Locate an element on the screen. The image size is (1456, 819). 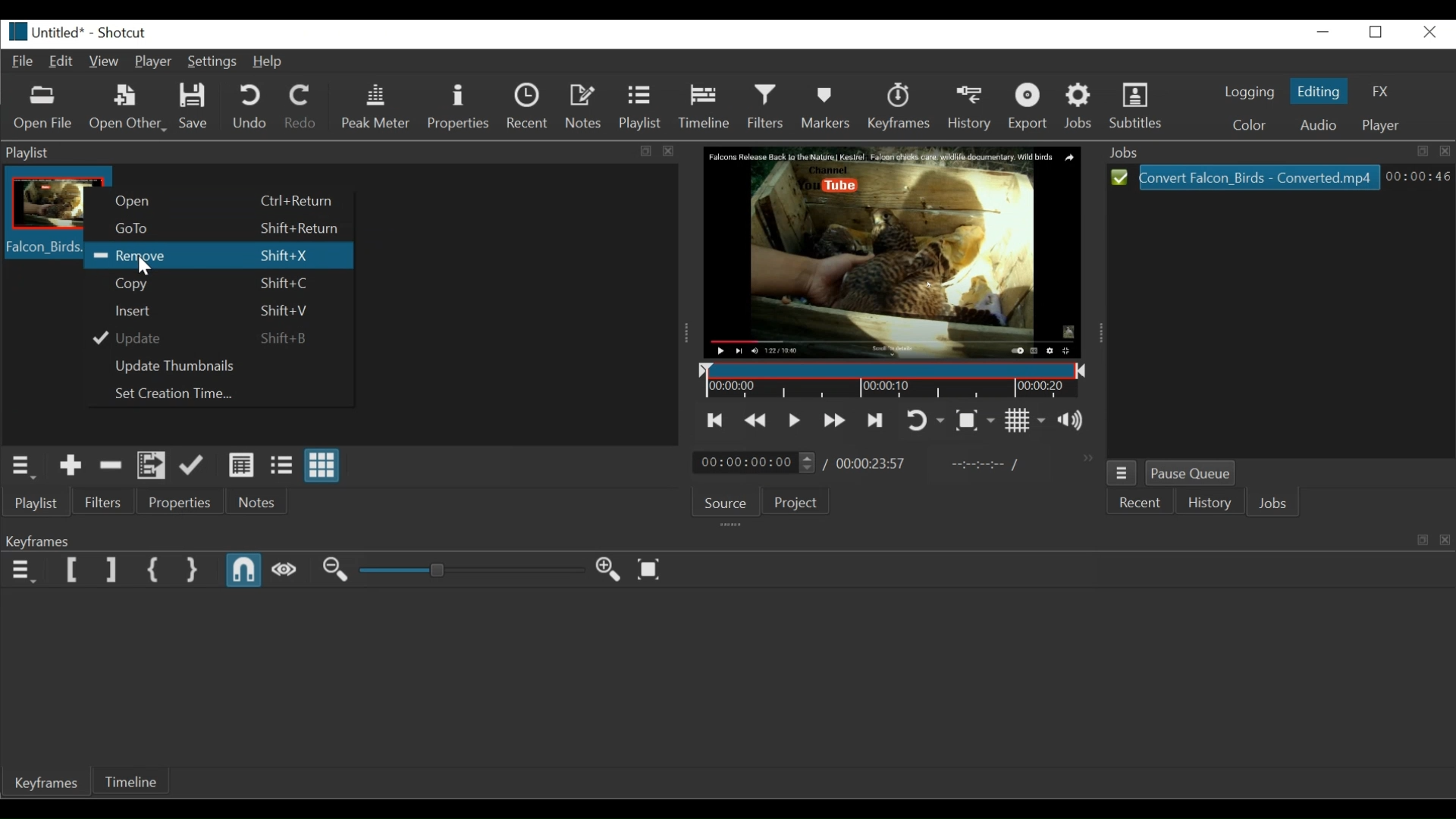
Zoom keyframe to fit is located at coordinates (649, 571).